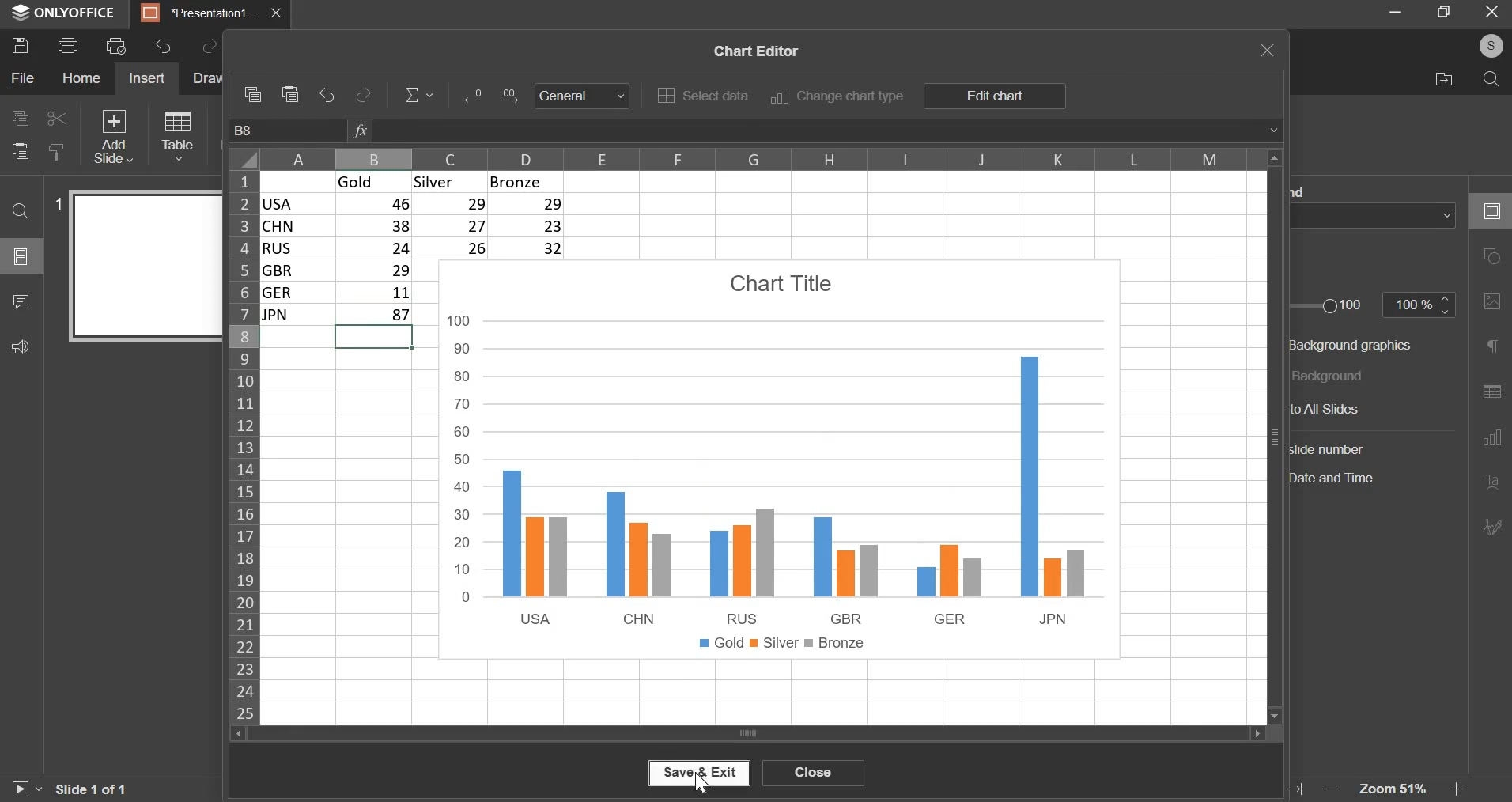  Describe the element at coordinates (164, 47) in the screenshot. I see `undo` at that location.